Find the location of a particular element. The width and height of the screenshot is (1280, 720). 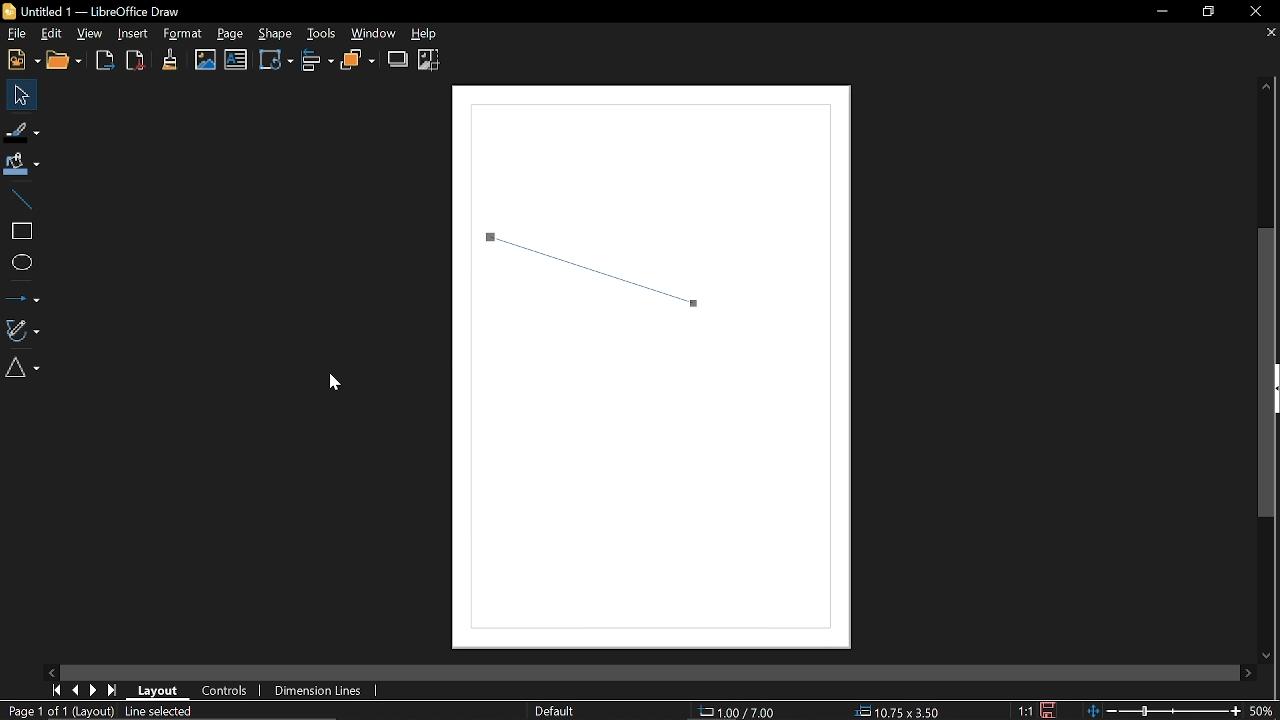

Export to pdf is located at coordinates (134, 60).